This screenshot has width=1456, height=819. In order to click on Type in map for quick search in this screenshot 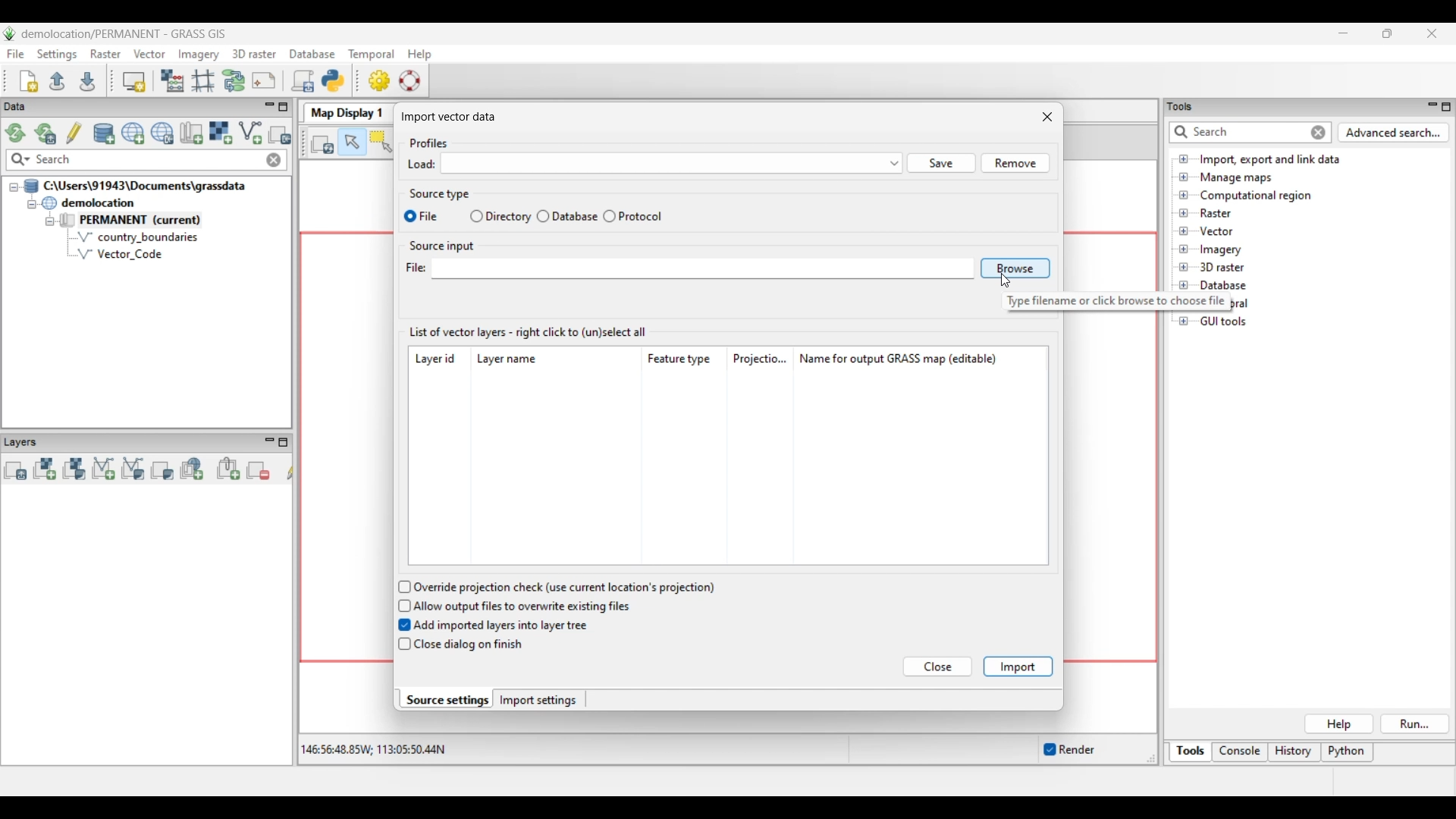, I will do `click(149, 160)`.